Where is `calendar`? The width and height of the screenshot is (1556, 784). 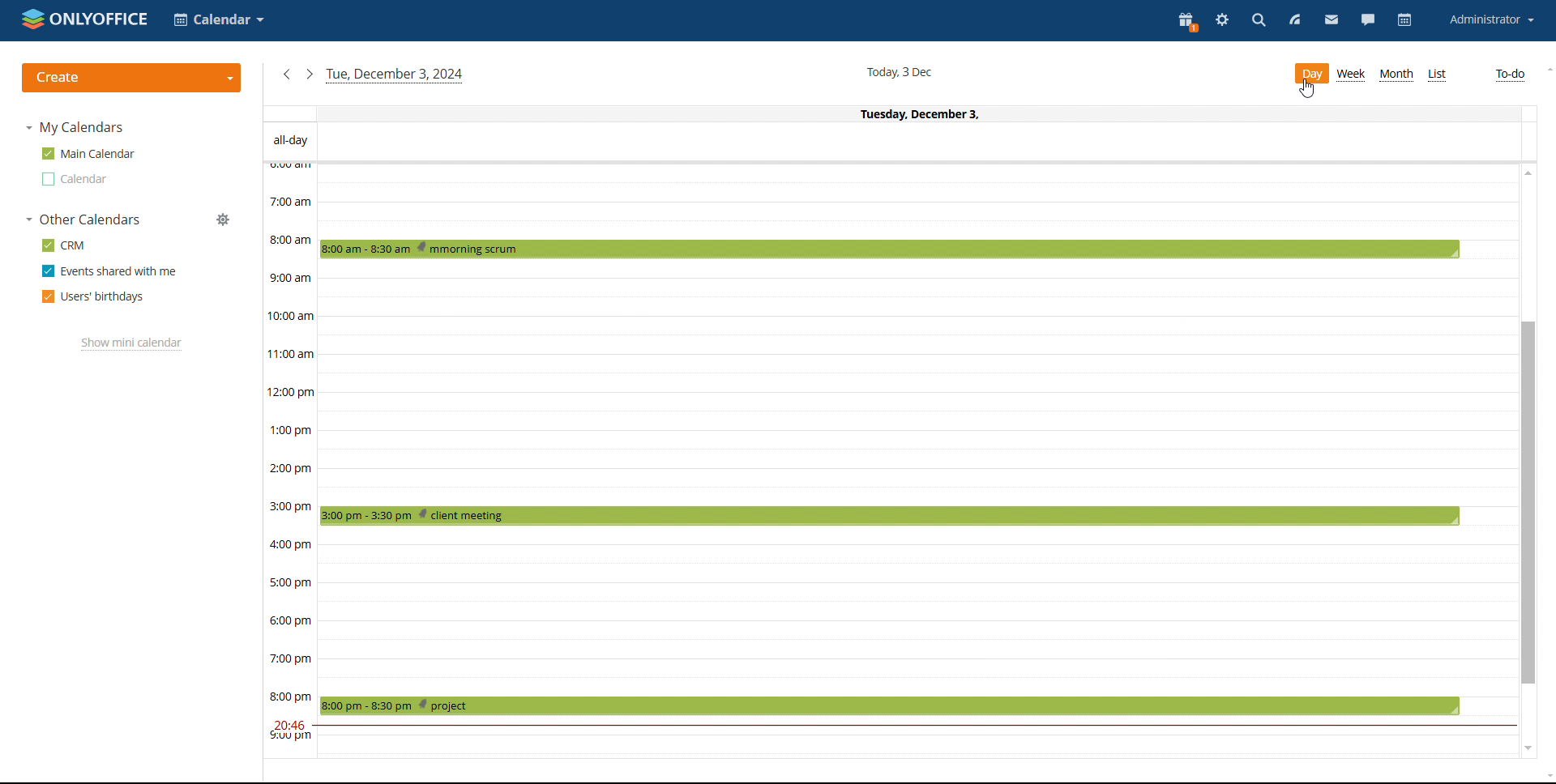
calendar is located at coordinates (1406, 21).